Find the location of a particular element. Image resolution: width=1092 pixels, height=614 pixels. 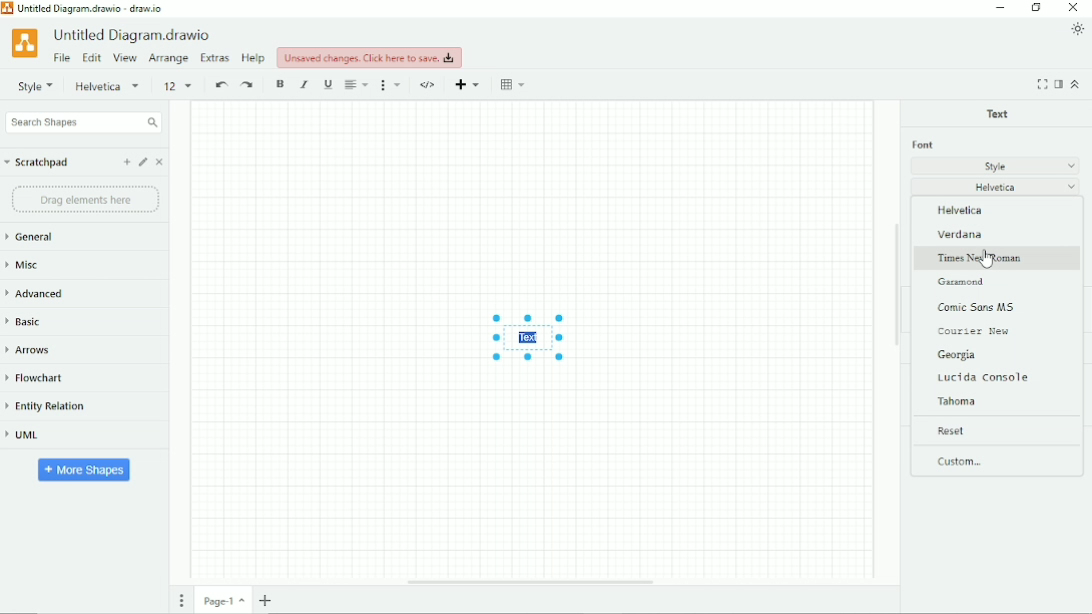

Edit is located at coordinates (92, 58).